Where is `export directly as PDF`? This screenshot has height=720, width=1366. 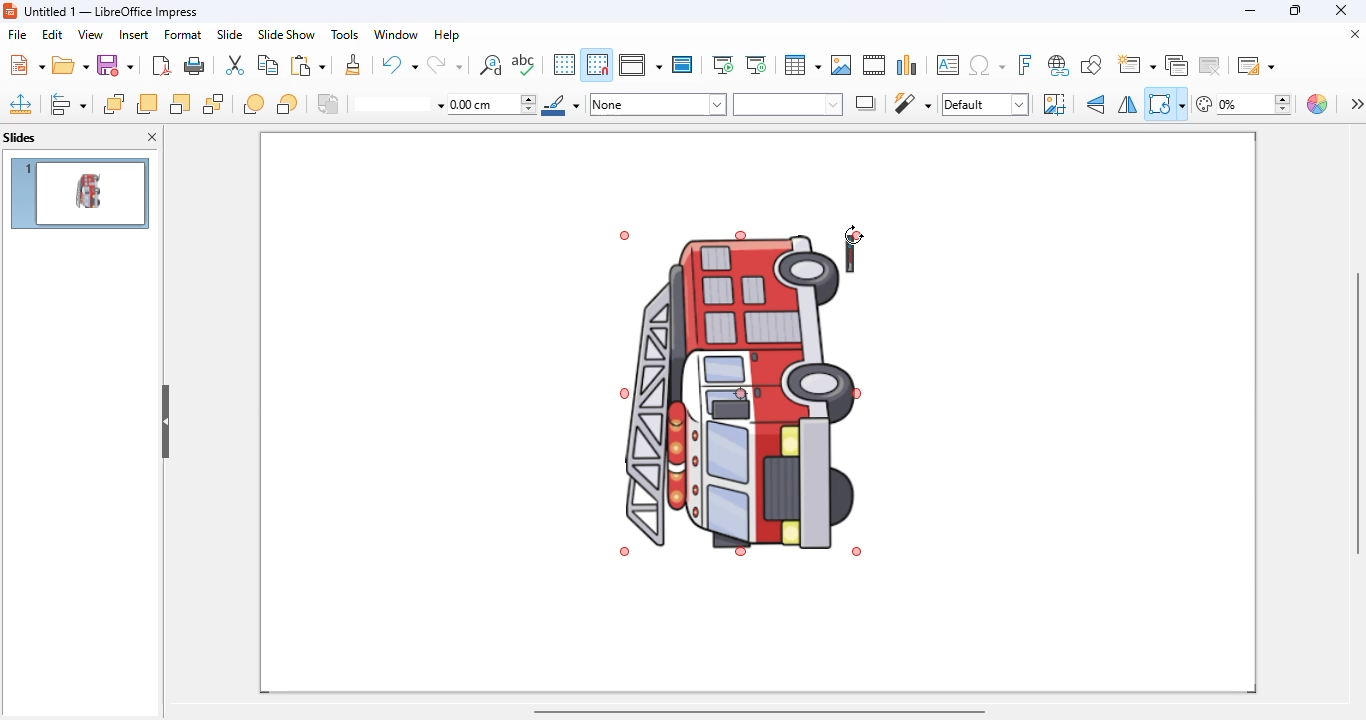
export directly as PDF is located at coordinates (161, 65).